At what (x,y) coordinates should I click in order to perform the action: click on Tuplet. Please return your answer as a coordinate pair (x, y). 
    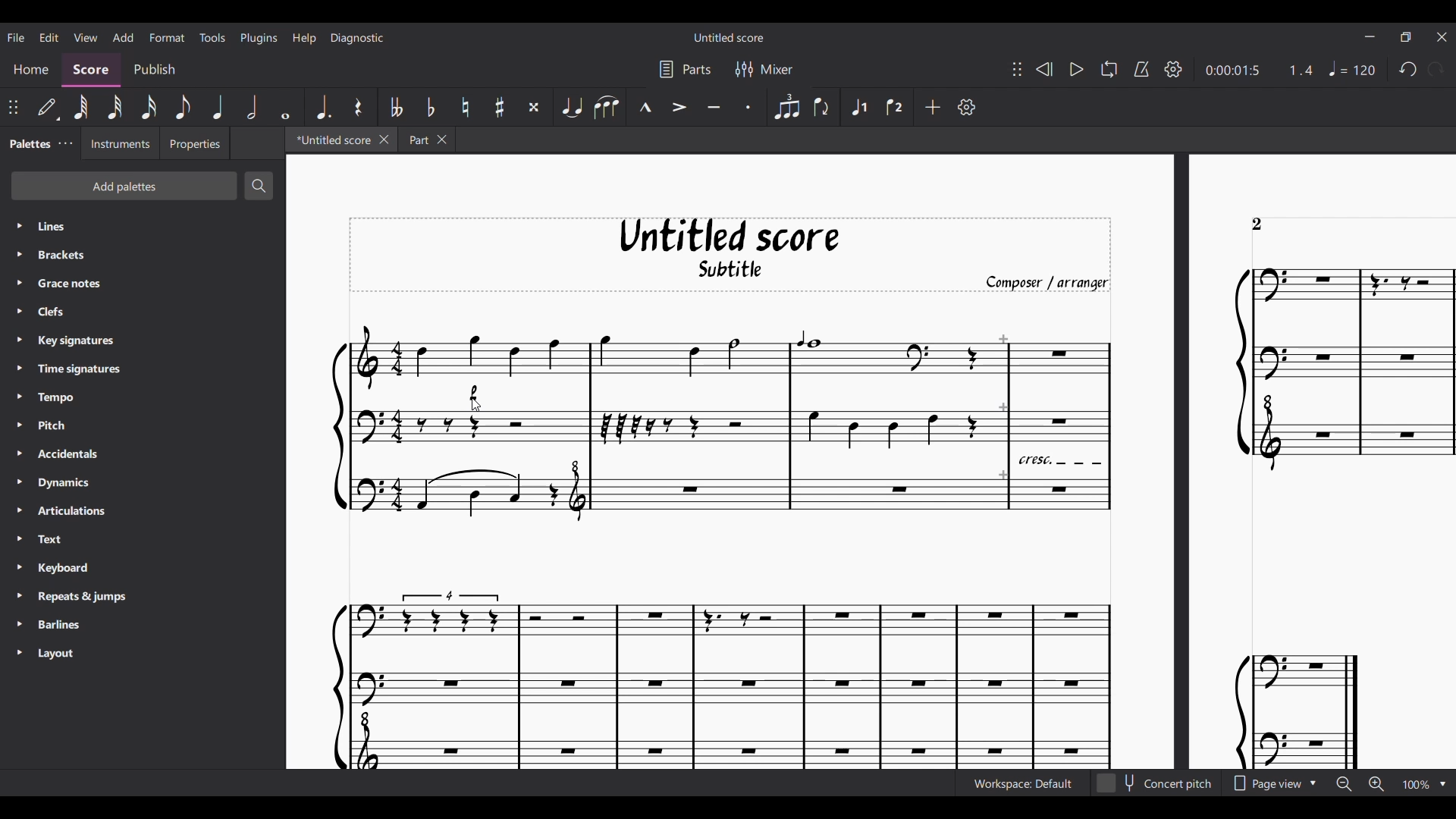
    Looking at the image, I should click on (786, 107).